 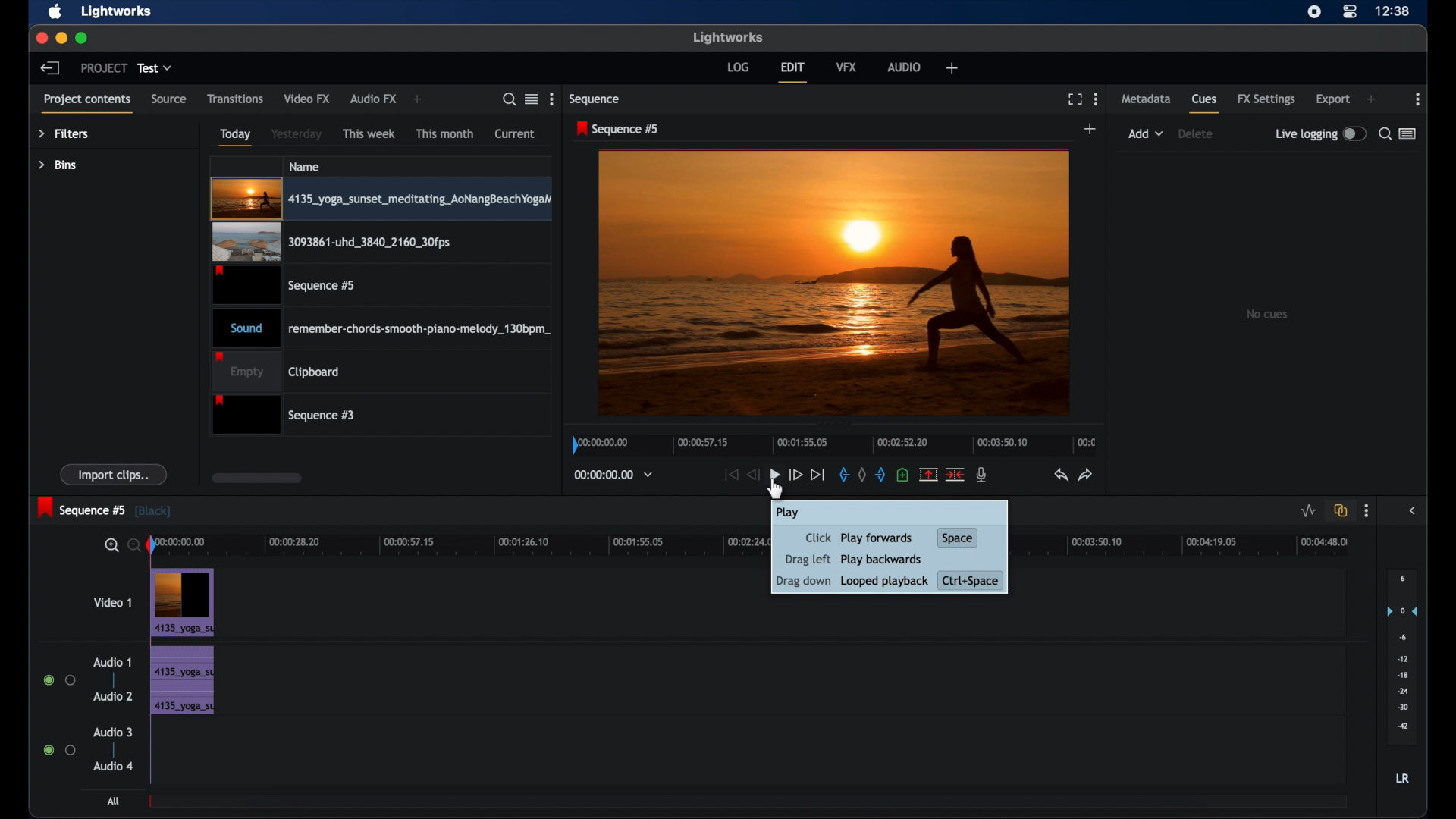 I want to click on project contents, so click(x=86, y=103).